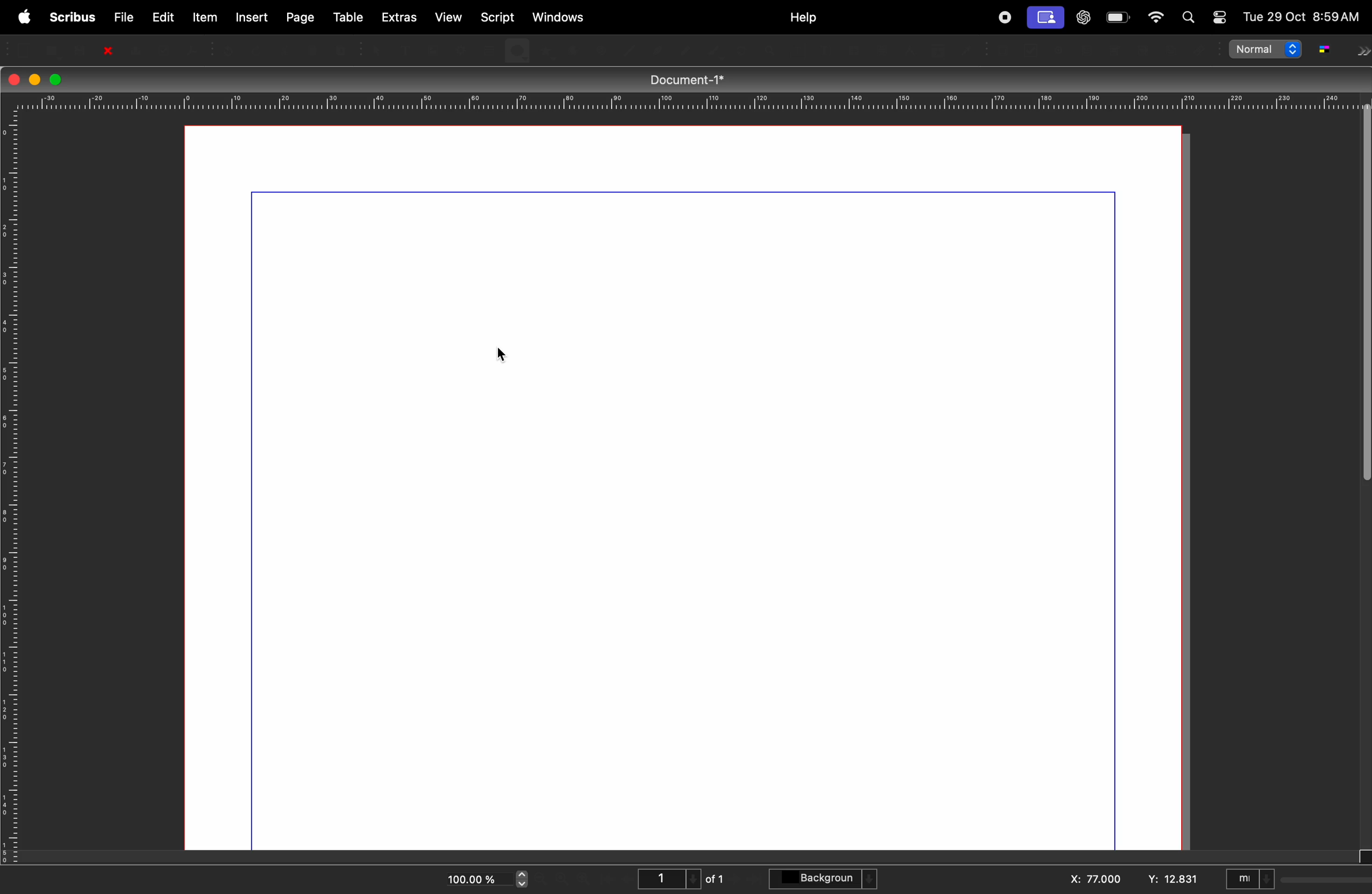  I want to click on Table, so click(487, 49).